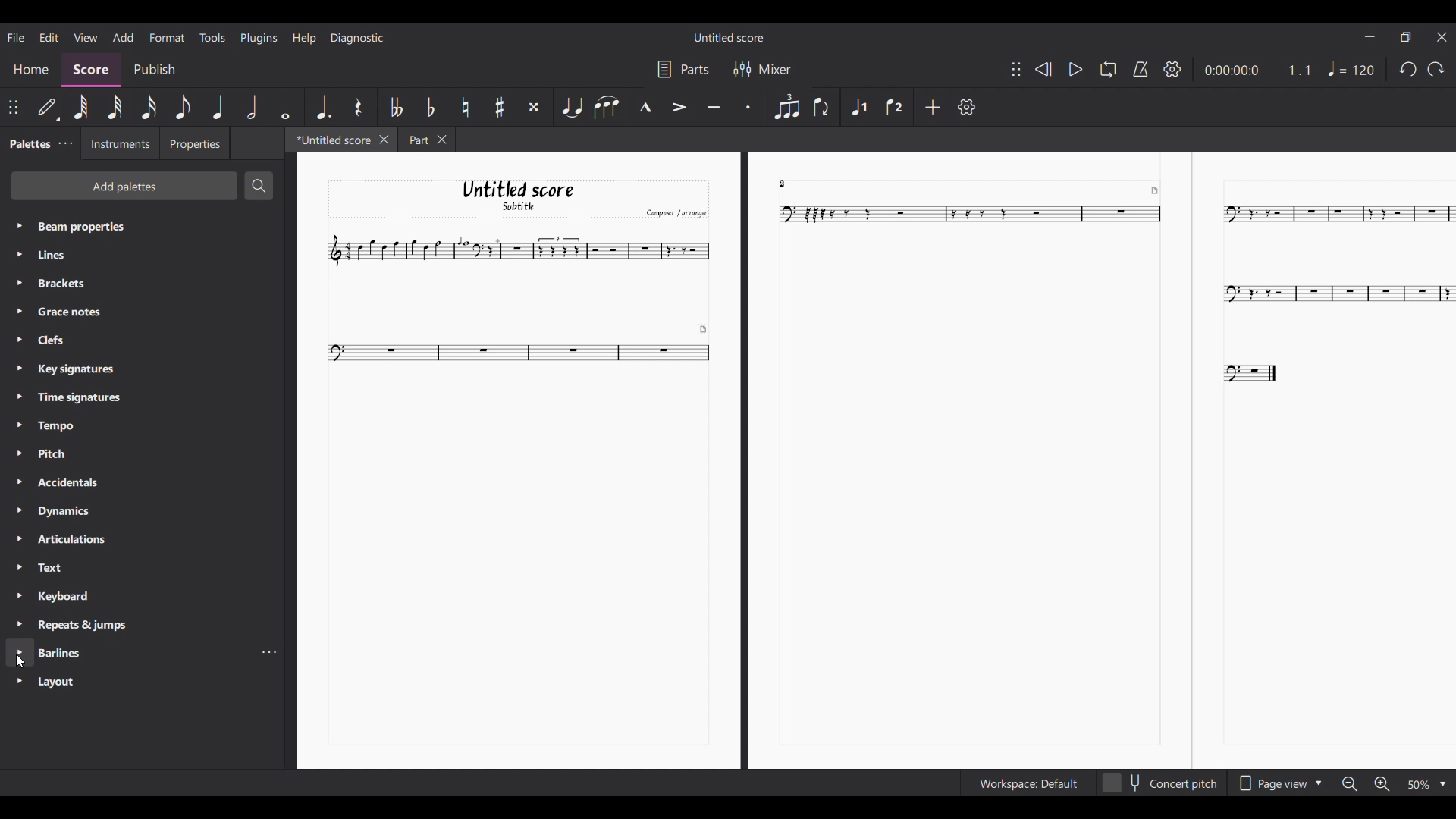 This screenshot has height=819, width=1456. Describe the element at coordinates (285, 107) in the screenshot. I see `Whole note` at that location.